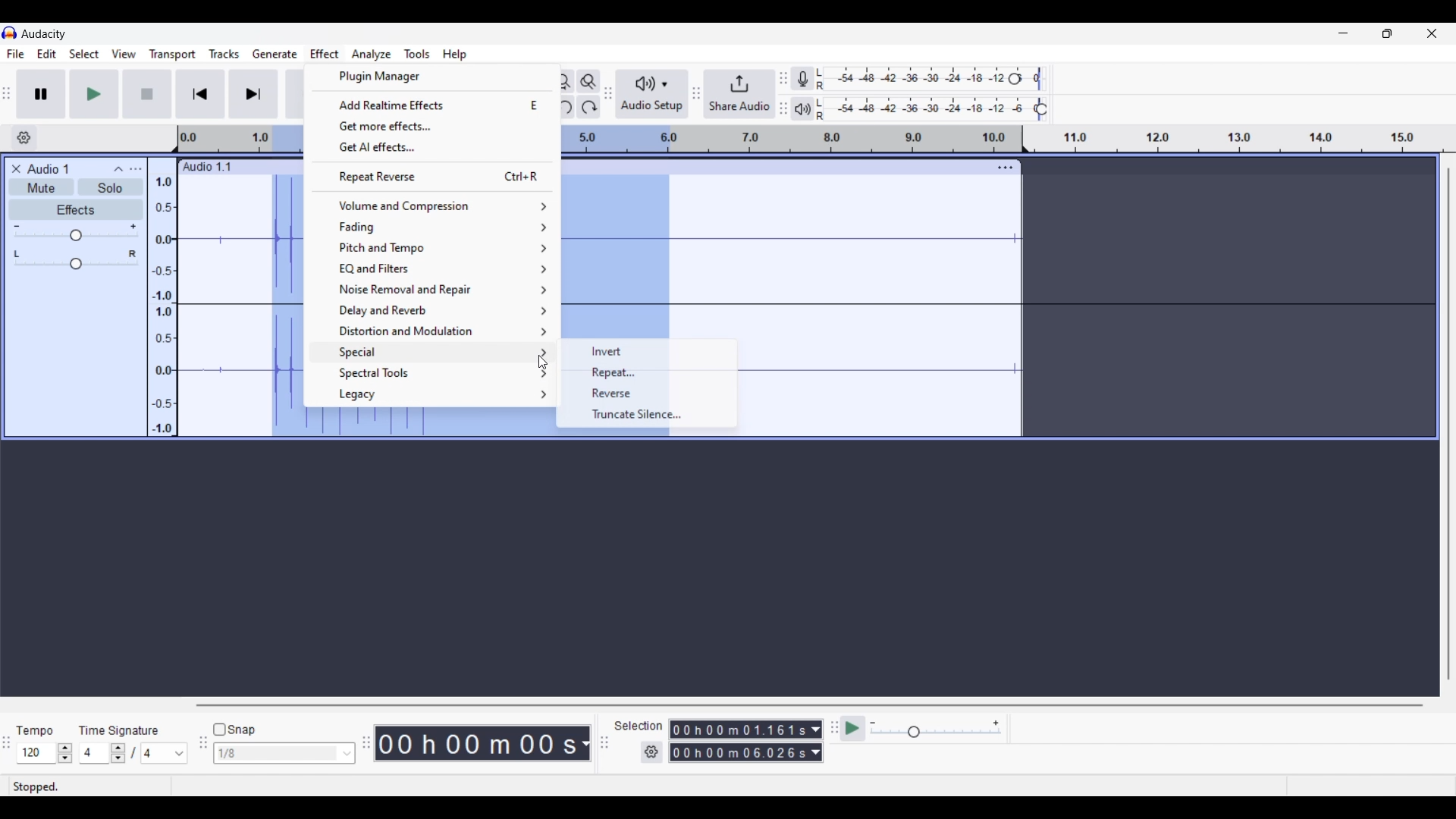 The width and height of the screenshot is (1456, 819). What do you see at coordinates (324, 54) in the screenshot?
I see `Effect menu` at bounding box center [324, 54].